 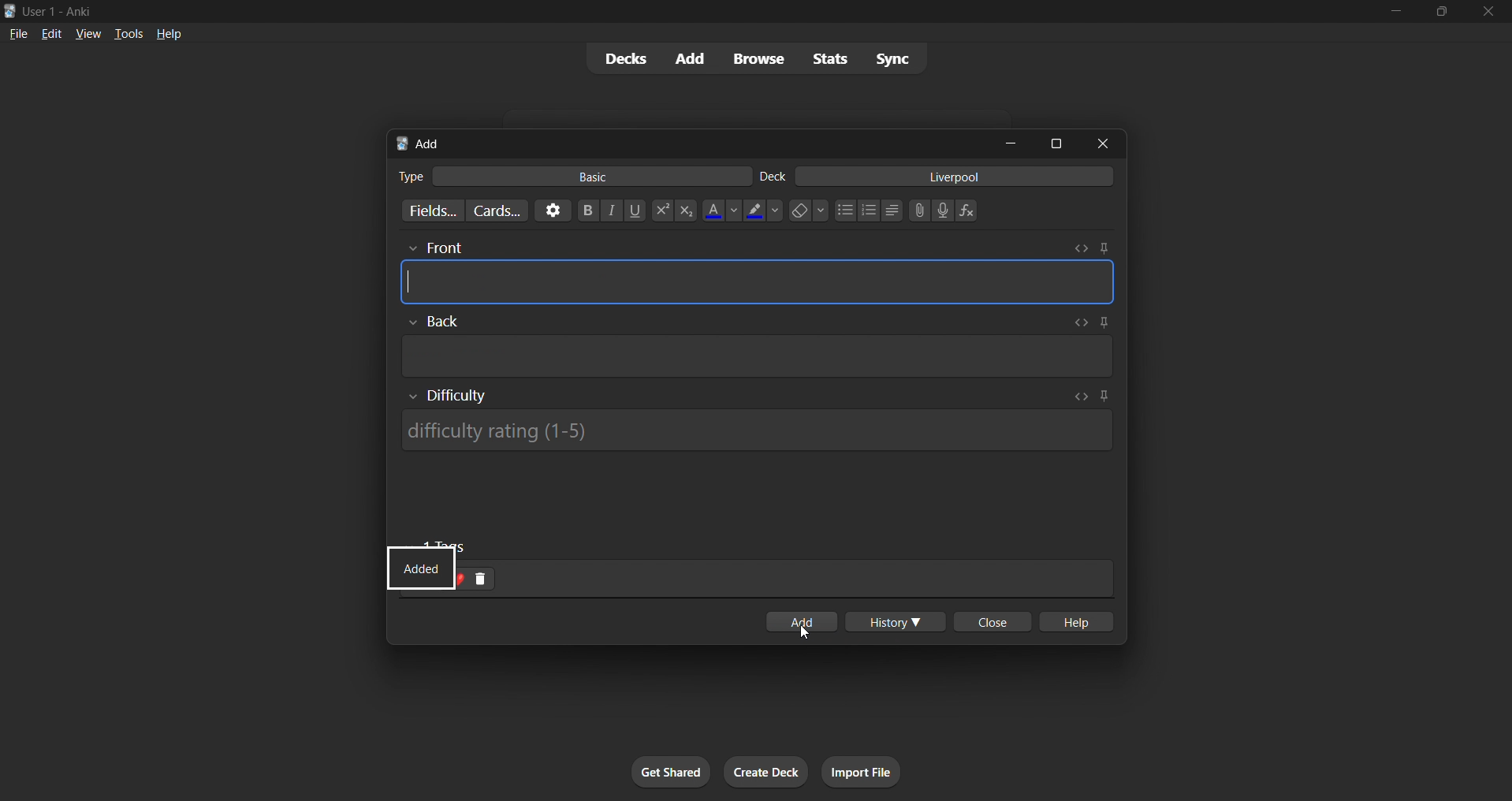 What do you see at coordinates (717, 209) in the screenshot?
I see `font color` at bounding box center [717, 209].